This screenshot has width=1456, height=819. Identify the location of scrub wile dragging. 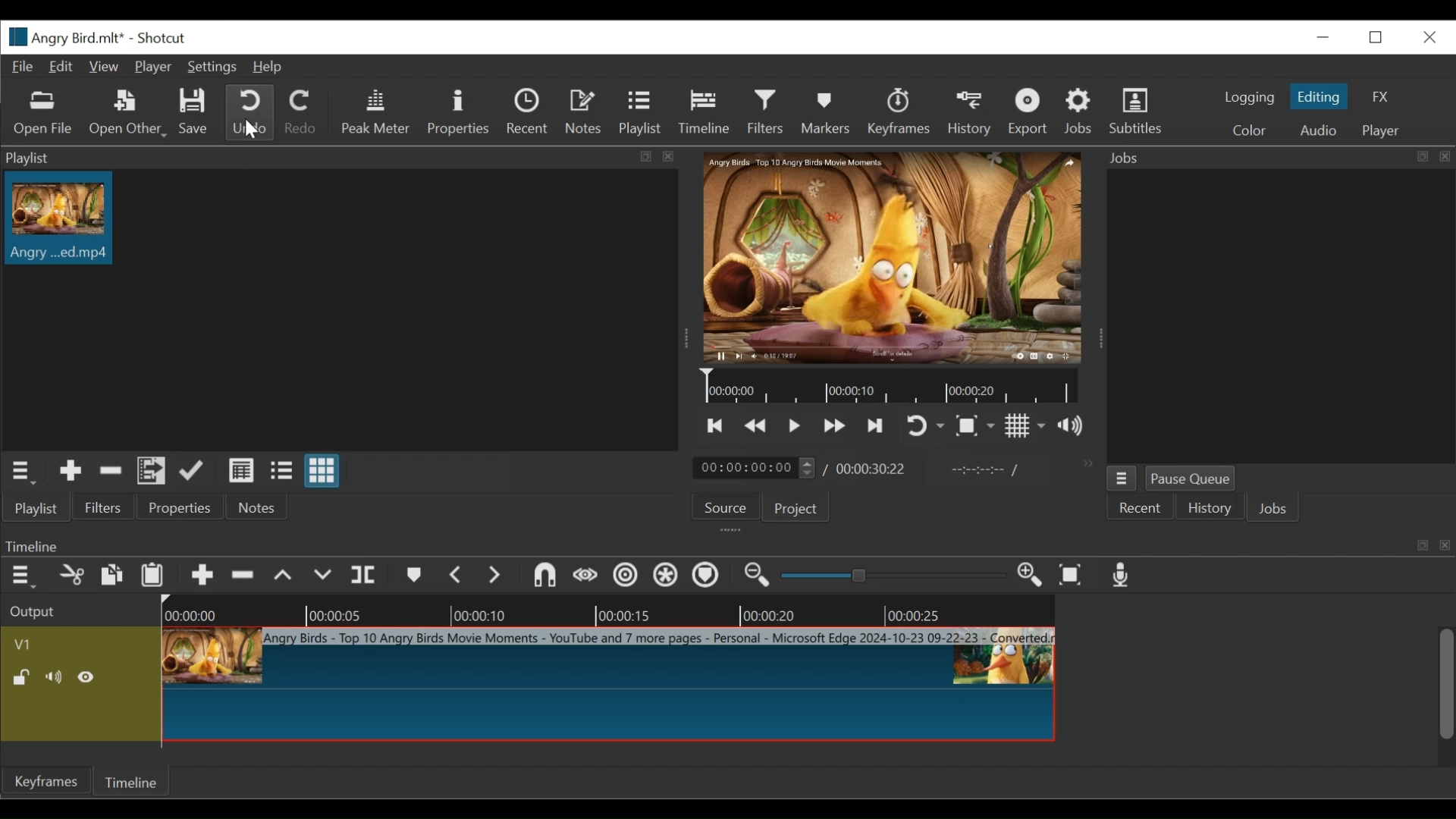
(585, 575).